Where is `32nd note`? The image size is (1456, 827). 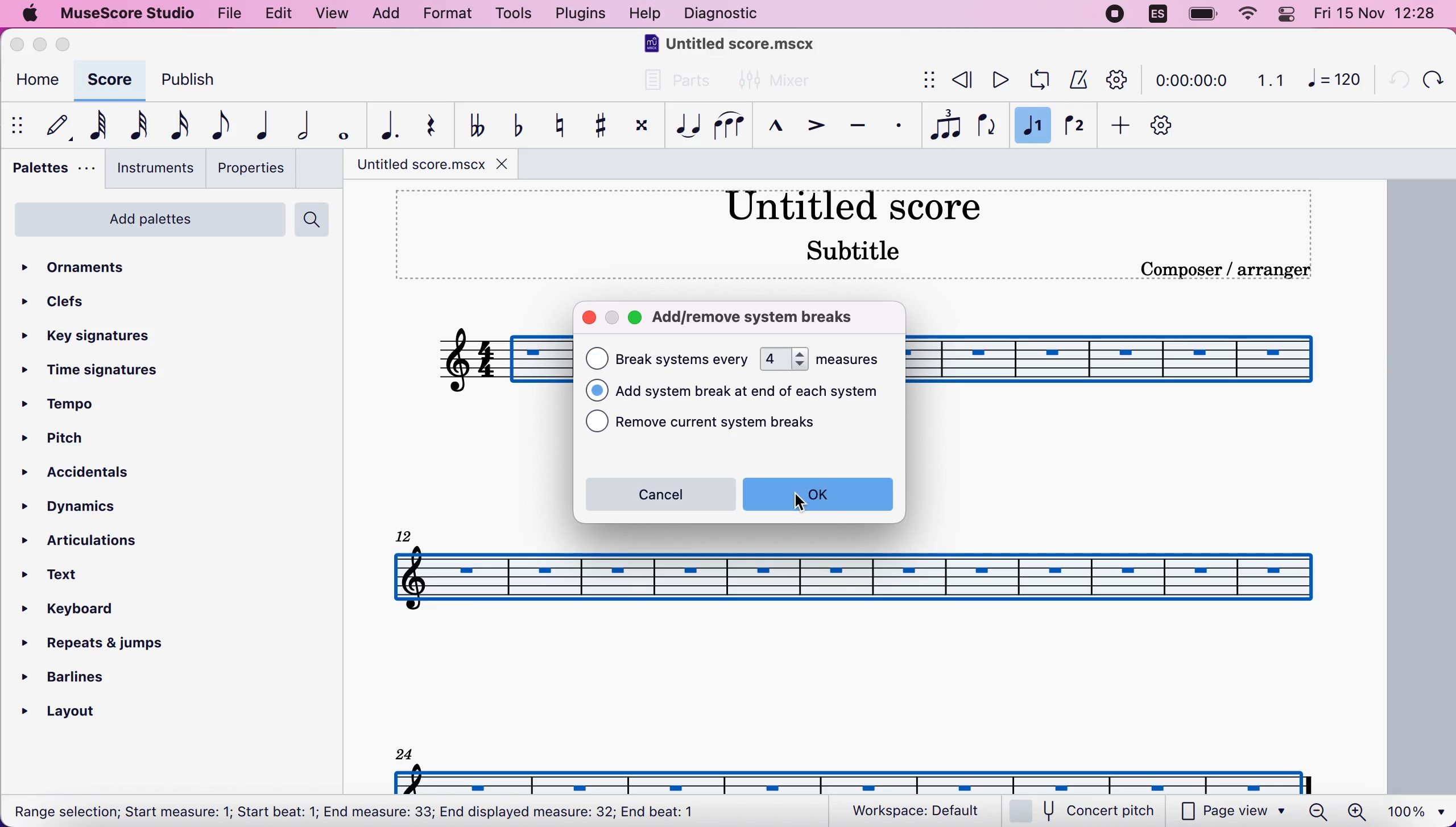
32nd note is located at coordinates (140, 125).